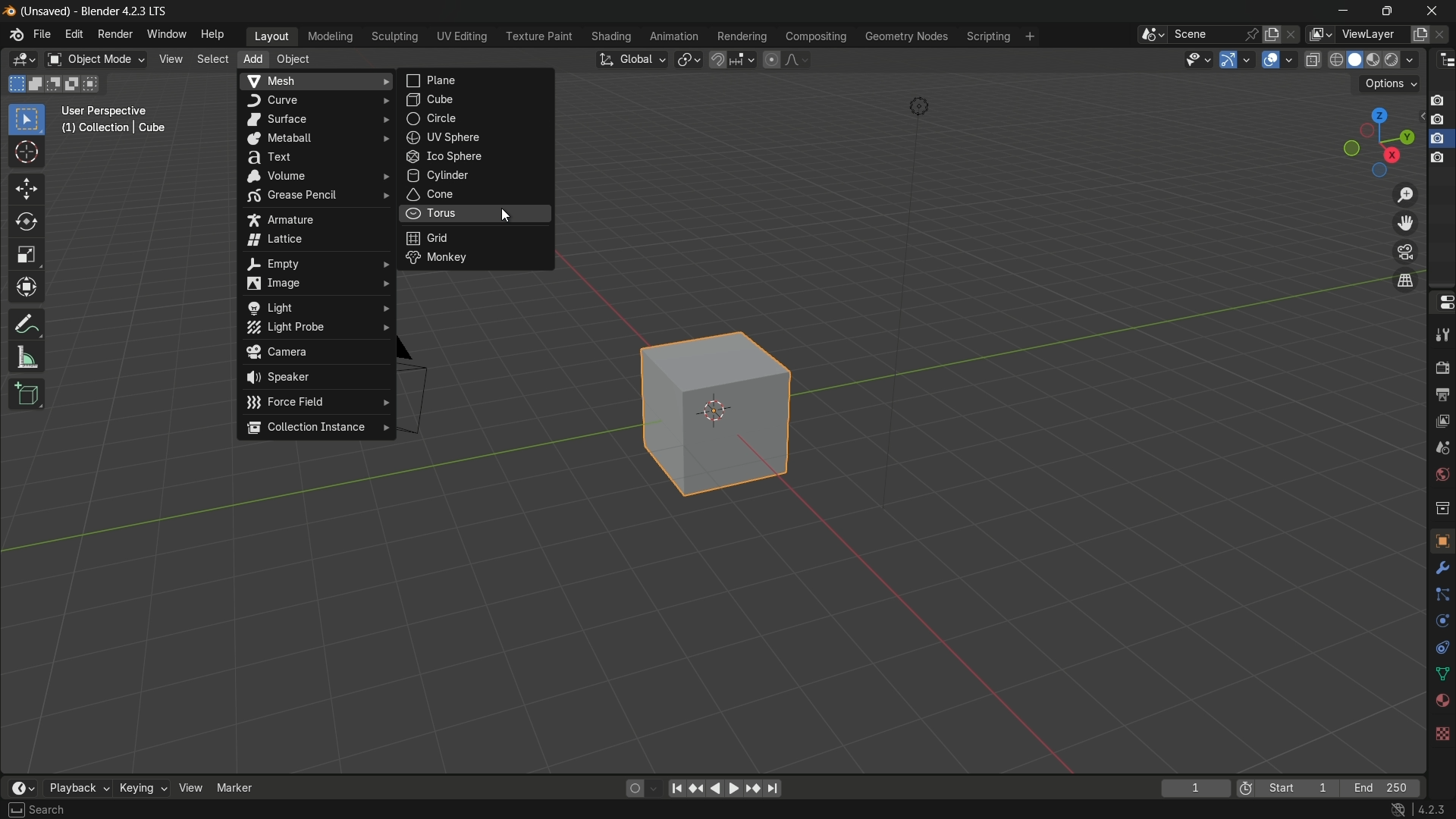 The image size is (1456, 819). What do you see at coordinates (905, 37) in the screenshot?
I see `geometry nodes` at bounding box center [905, 37].